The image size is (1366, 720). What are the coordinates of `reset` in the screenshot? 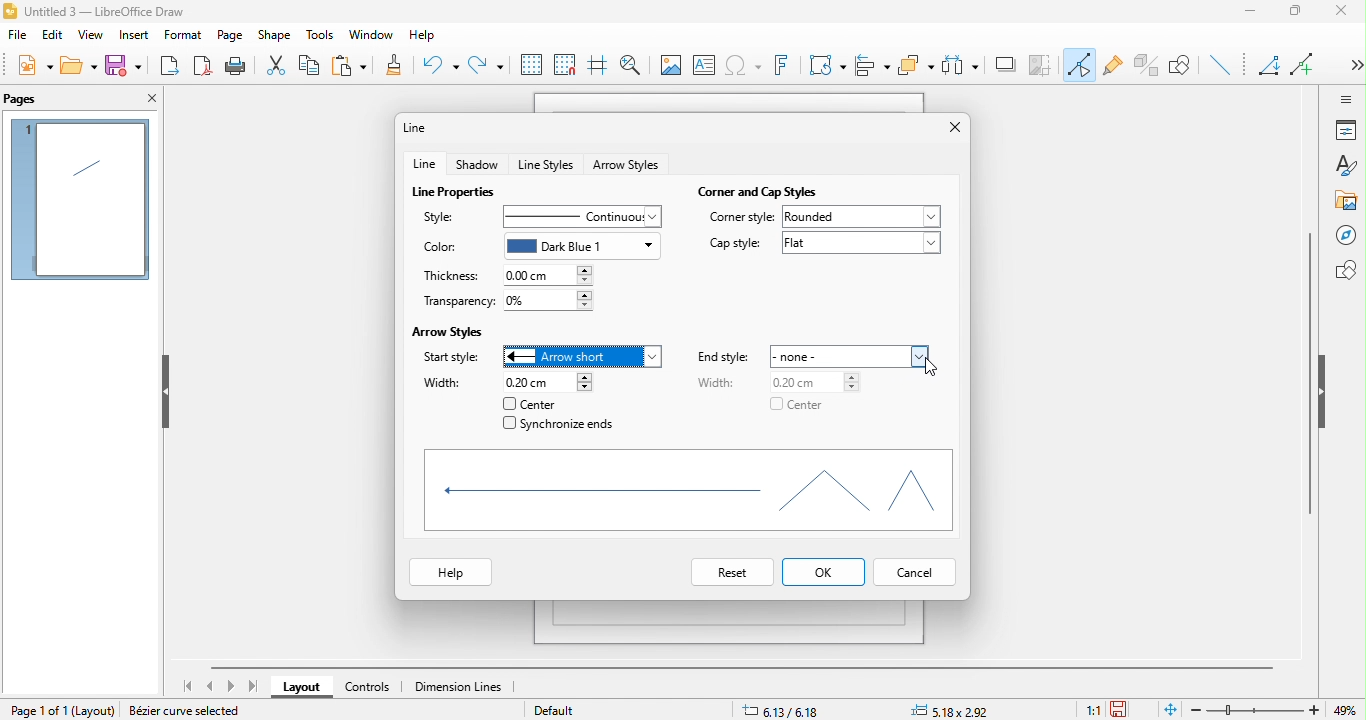 It's located at (728, 573).